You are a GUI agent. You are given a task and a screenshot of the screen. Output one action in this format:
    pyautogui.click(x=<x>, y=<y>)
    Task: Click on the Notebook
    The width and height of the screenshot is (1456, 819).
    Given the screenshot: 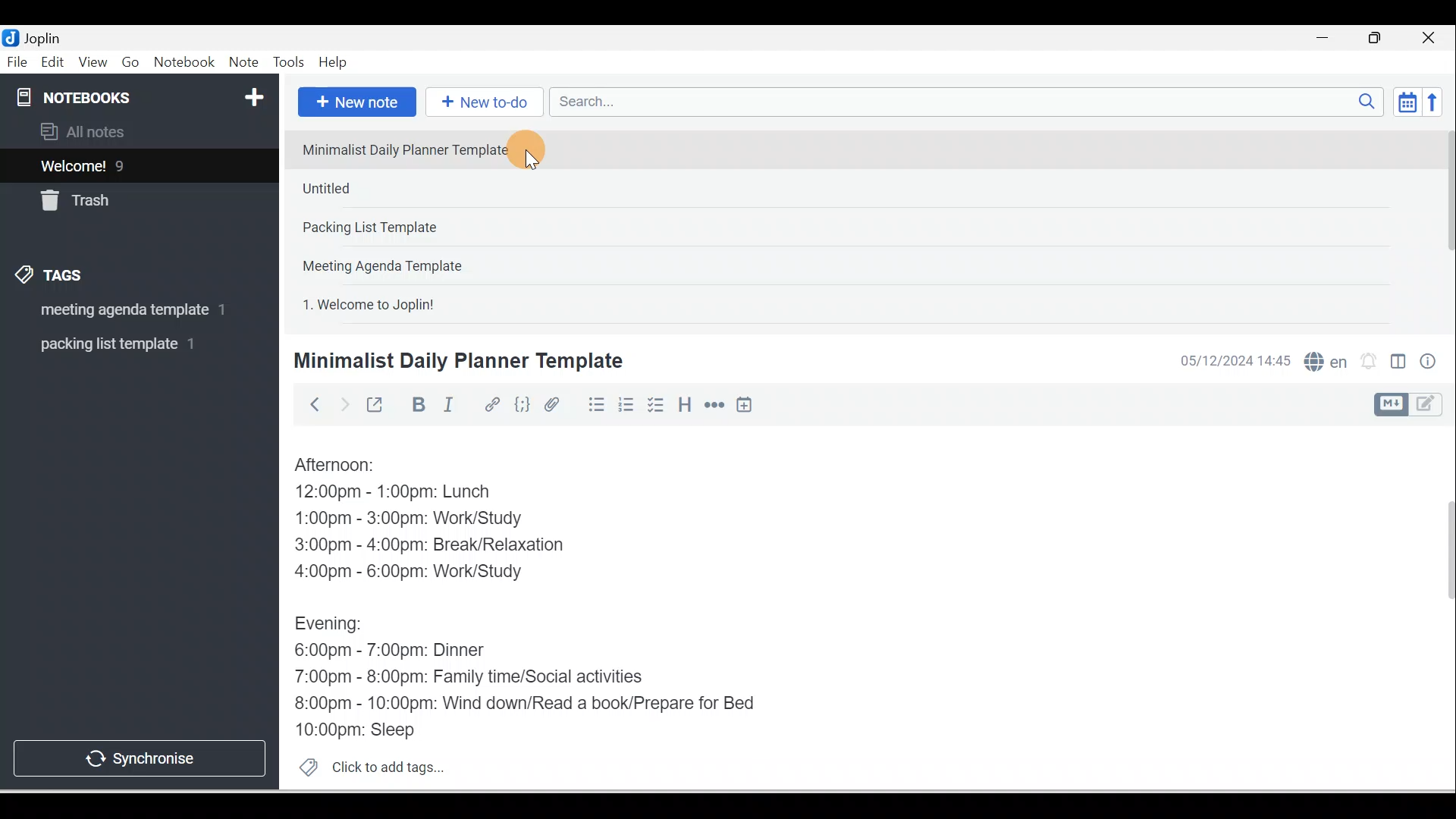 What is the action you would take?
    pyautogui.click(x=184, y=63)
    